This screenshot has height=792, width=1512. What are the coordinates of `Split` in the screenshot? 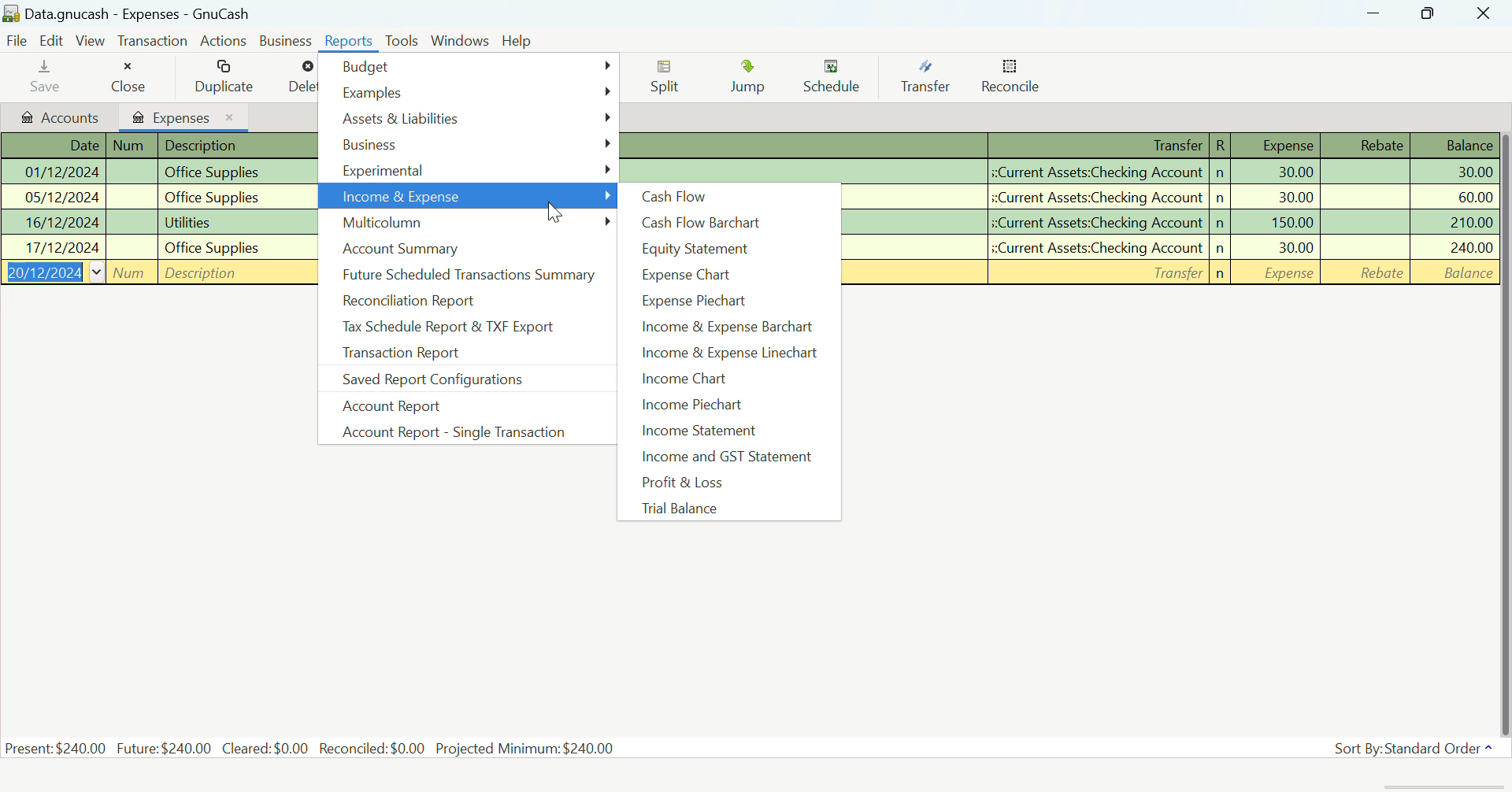 It's located at (668, 78).